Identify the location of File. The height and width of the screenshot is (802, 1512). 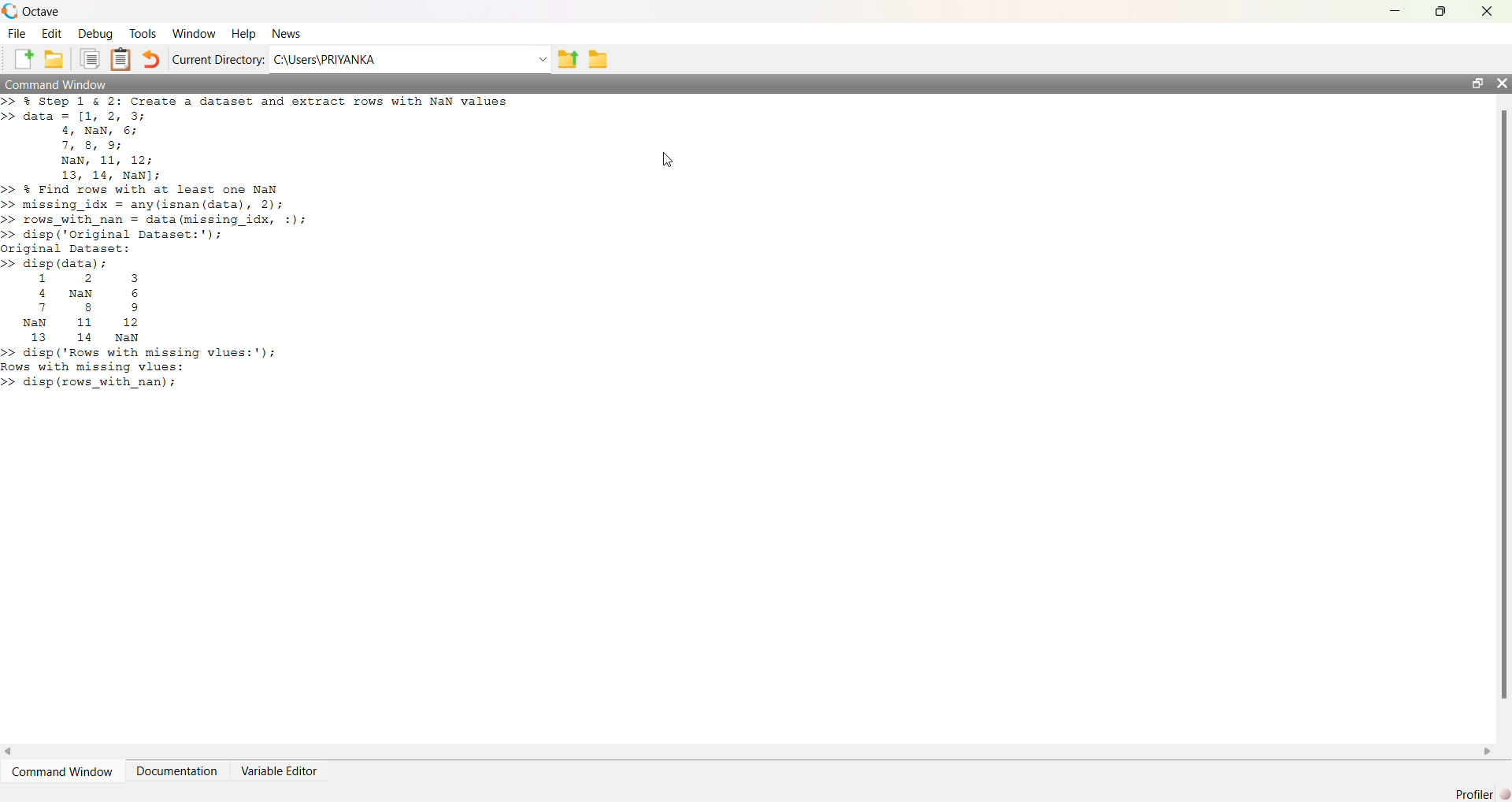
(17, 34).